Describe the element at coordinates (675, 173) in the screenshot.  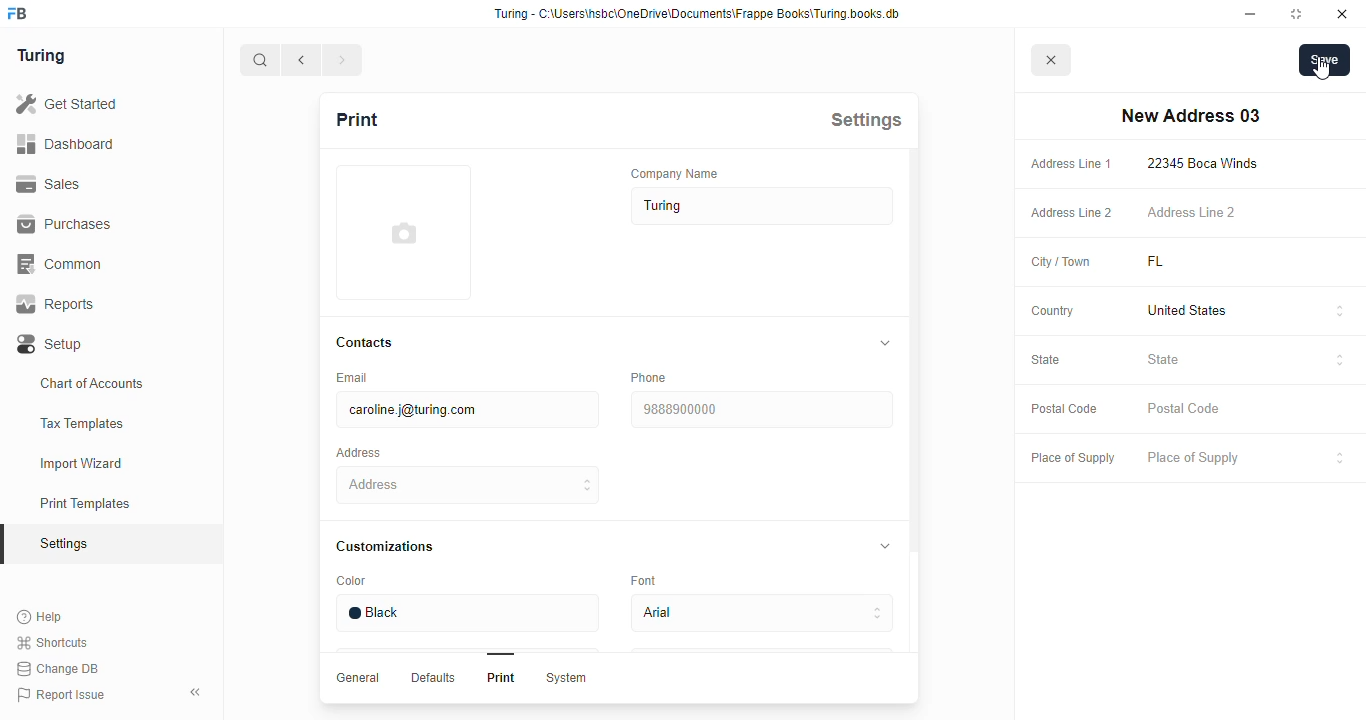
I see `company name` at that location.